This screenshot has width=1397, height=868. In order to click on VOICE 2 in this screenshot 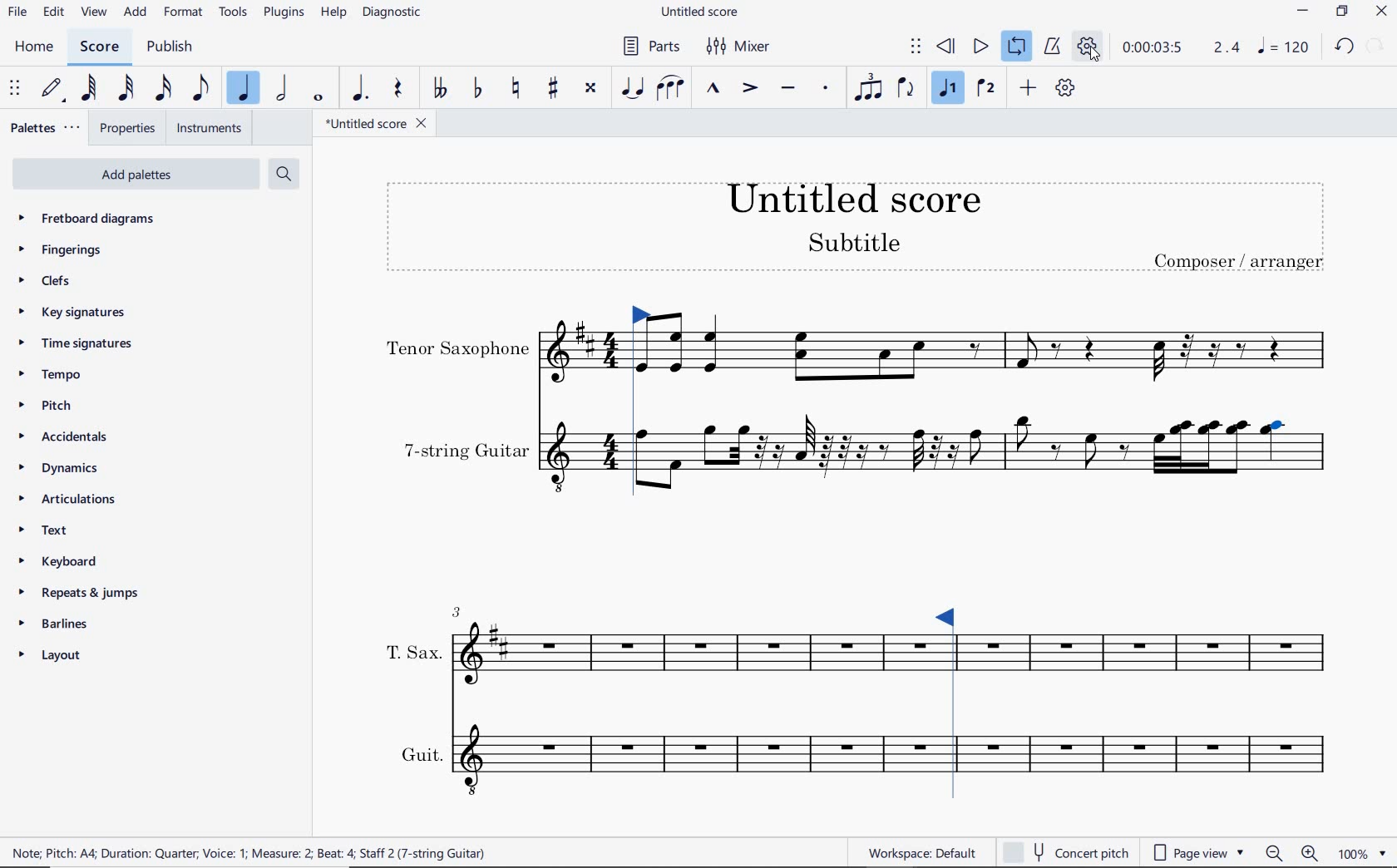, I will do `click(988, 89)`.